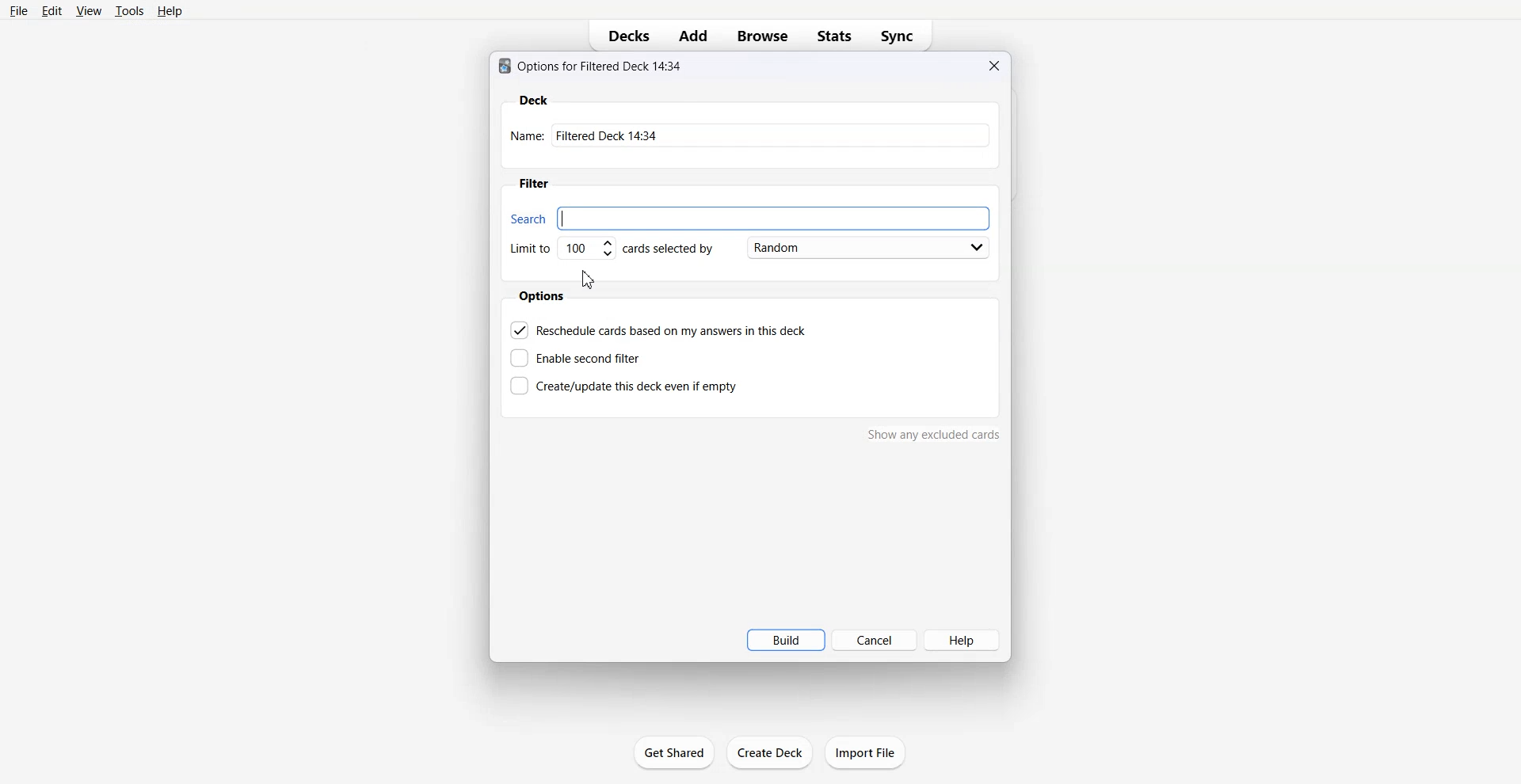 The image size is (1521, 784). I want to click on Stats, so click(833, 36).